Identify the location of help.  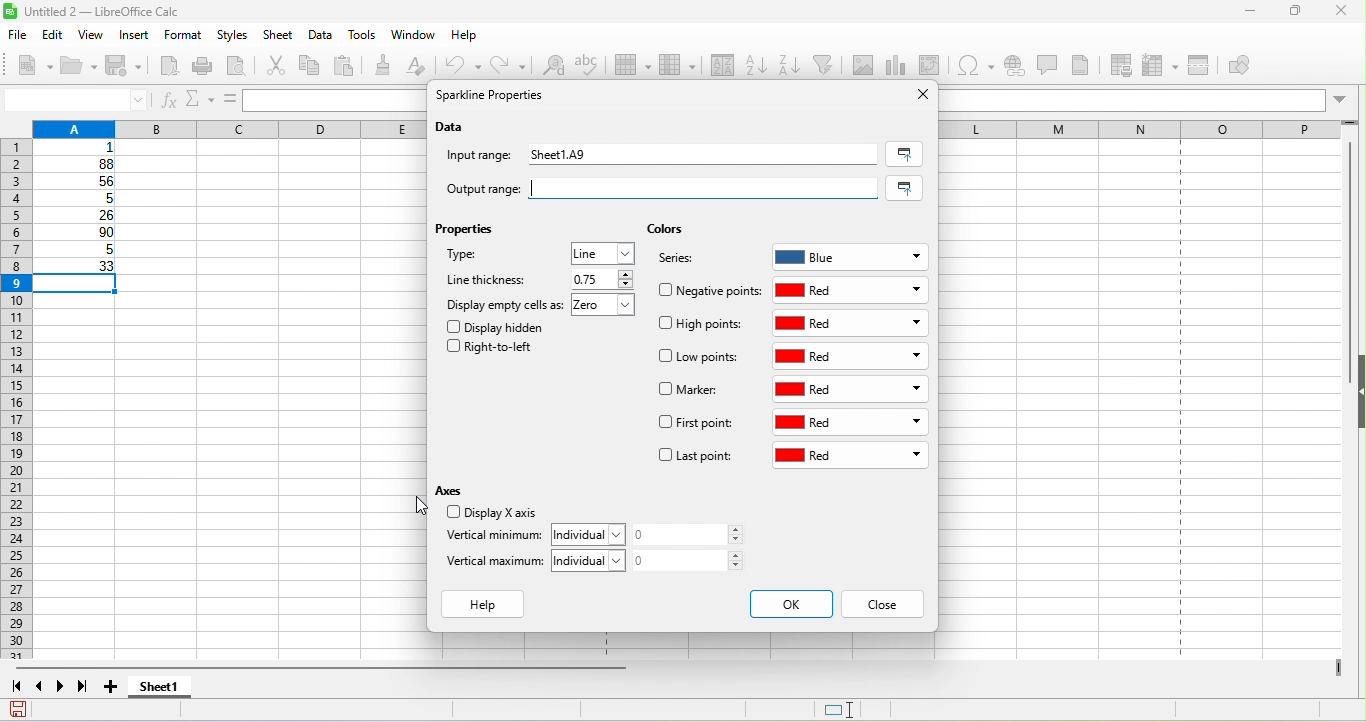
(465, 39).